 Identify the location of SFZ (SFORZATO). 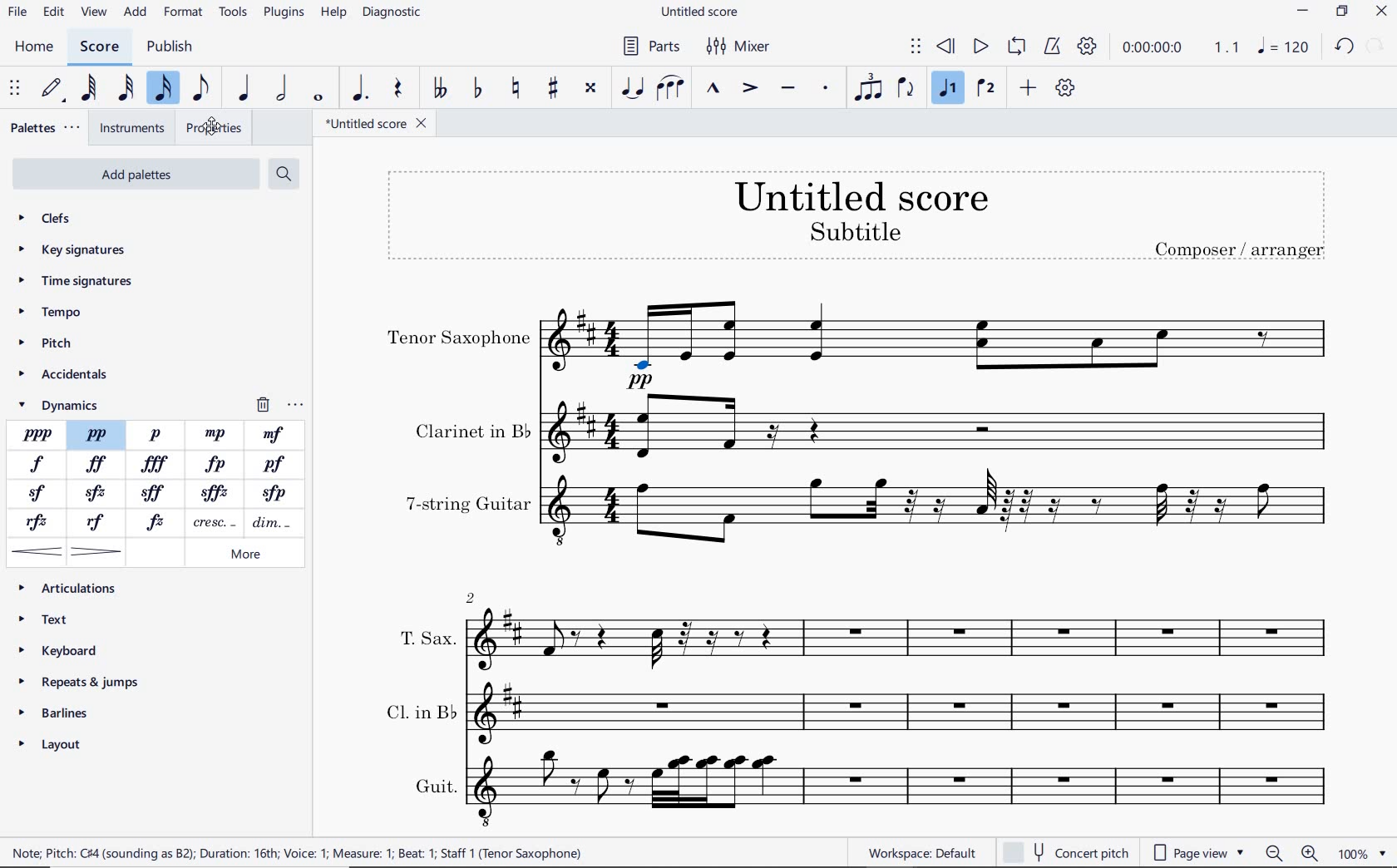
(96, 492).